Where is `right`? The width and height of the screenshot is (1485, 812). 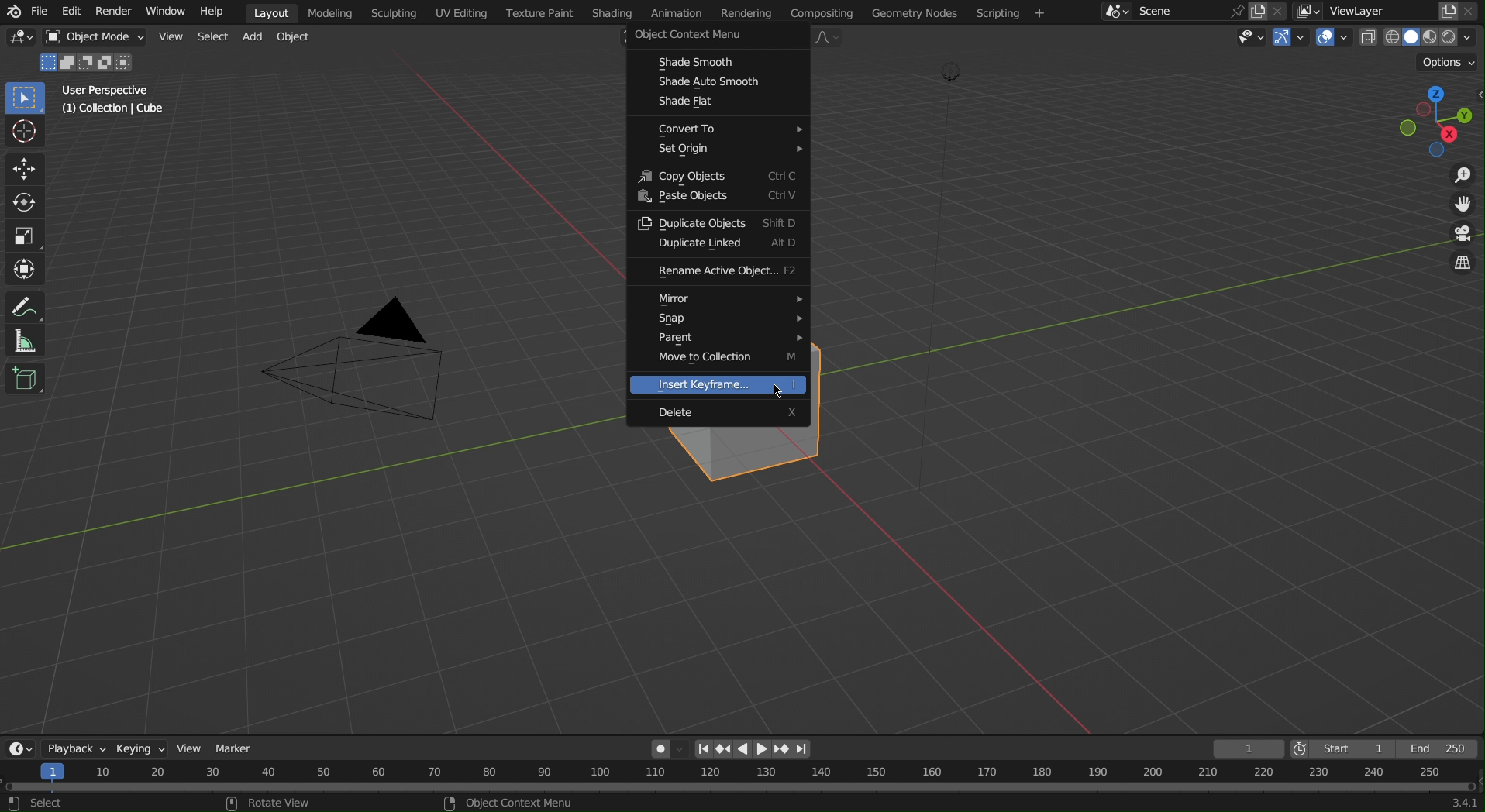 right is located at coordinates (763, 749).